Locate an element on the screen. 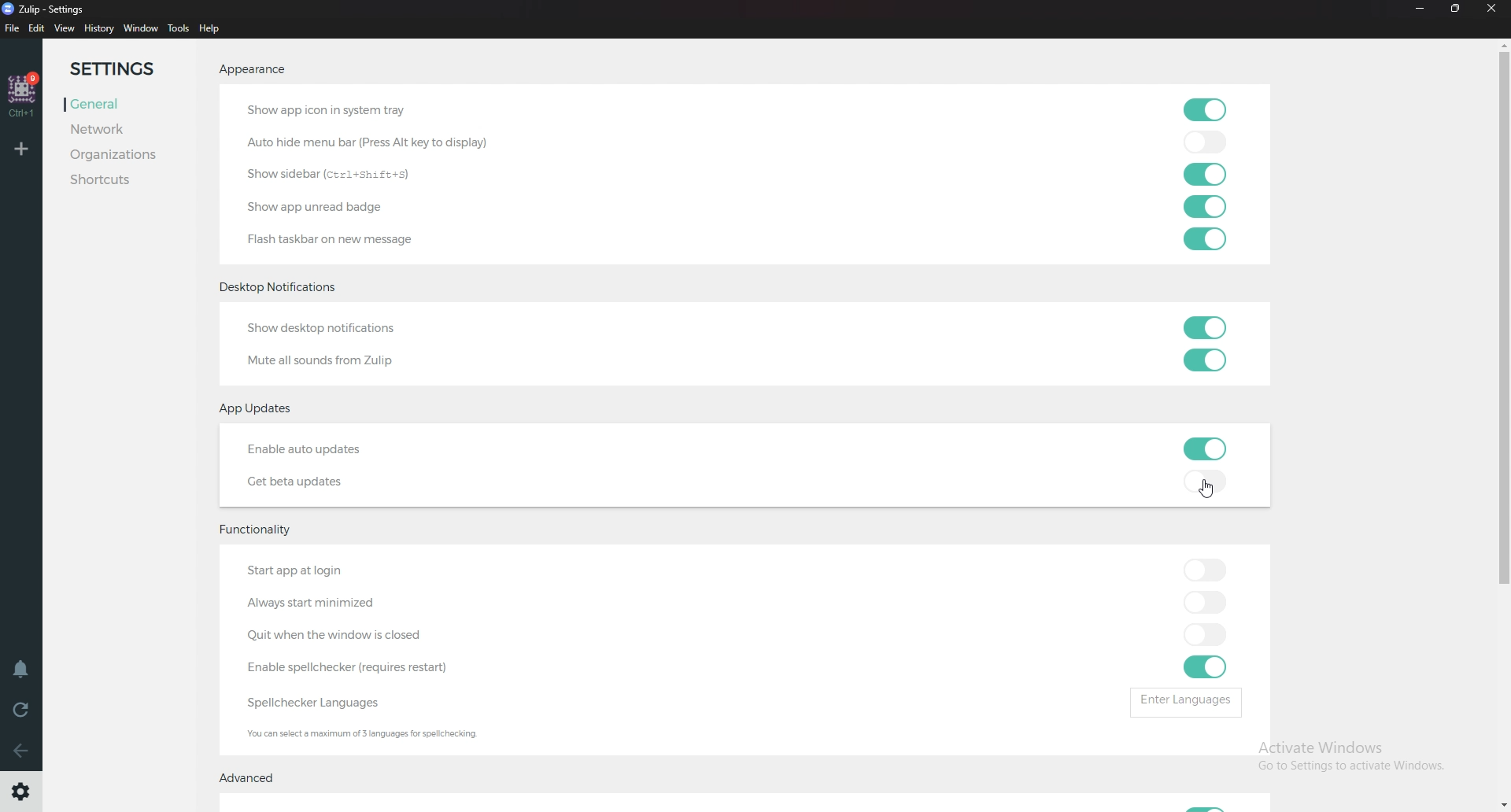 Image resolution: width=1511 pixels, height=812 pixels. Appearance is located at coordinates (253, 72).